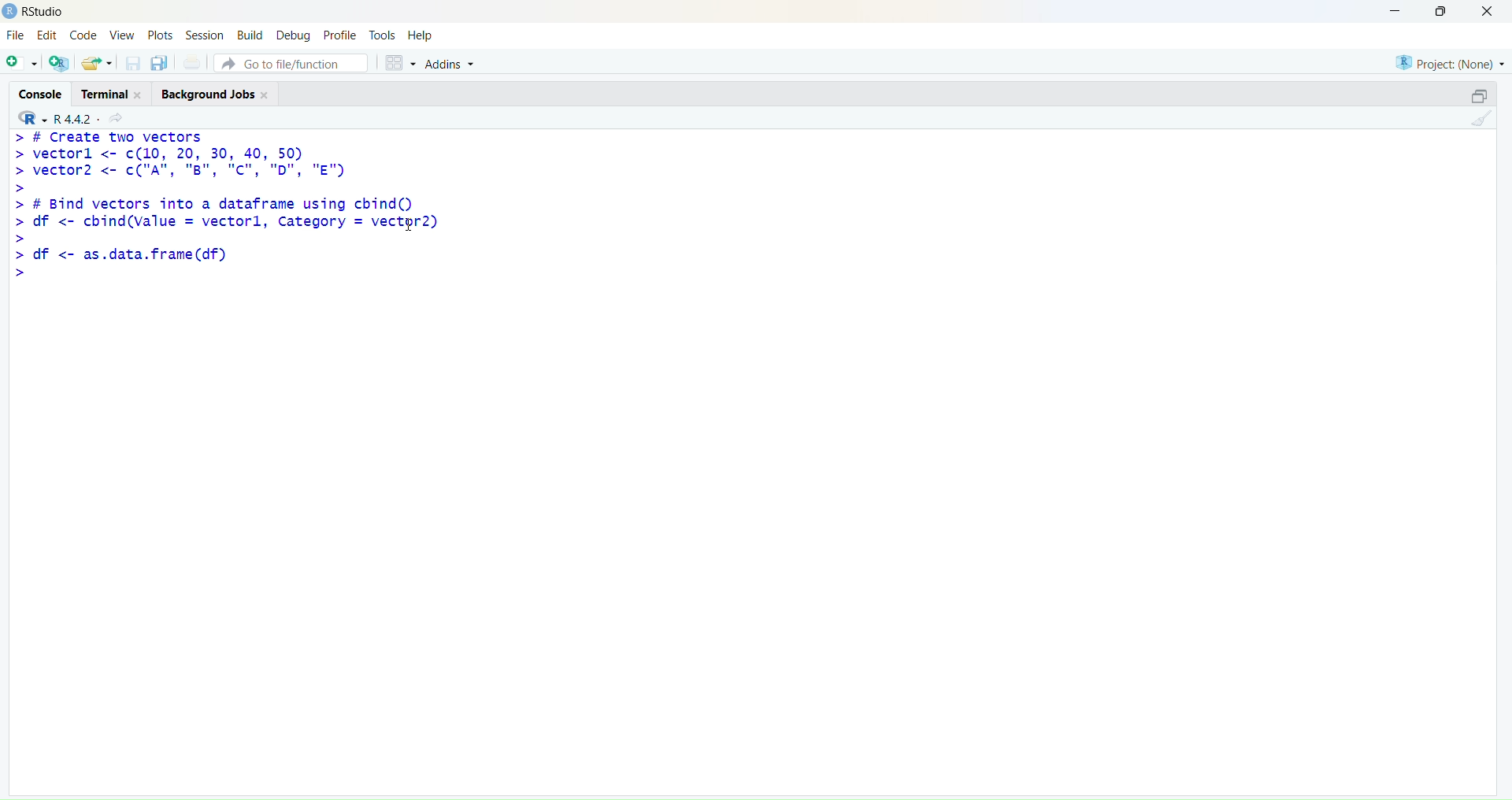 This screenshot has height=800, width=1512. I want to click on Tools, so click(383, 35).